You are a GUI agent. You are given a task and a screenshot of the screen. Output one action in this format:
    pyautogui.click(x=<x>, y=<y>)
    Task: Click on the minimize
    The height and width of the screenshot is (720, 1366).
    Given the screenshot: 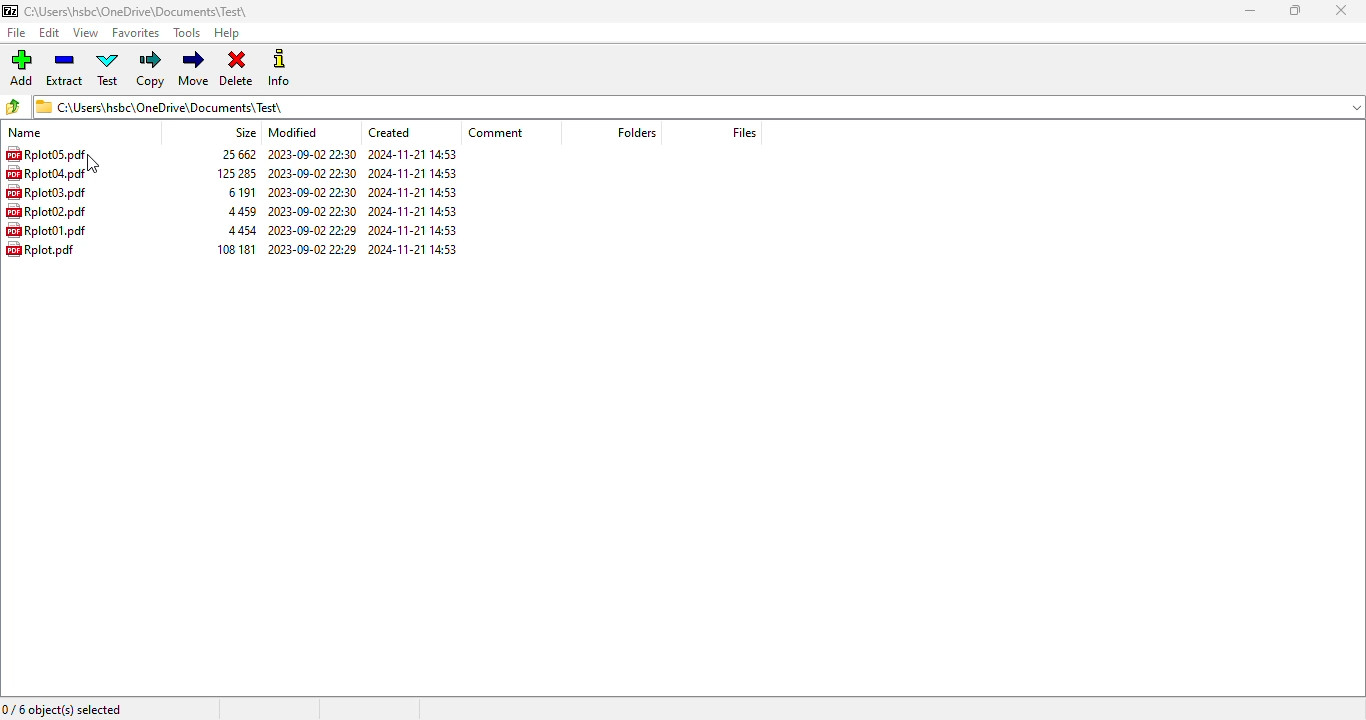 What is the action you would take?
    pyautogui.click(x=1249, y=11)
    